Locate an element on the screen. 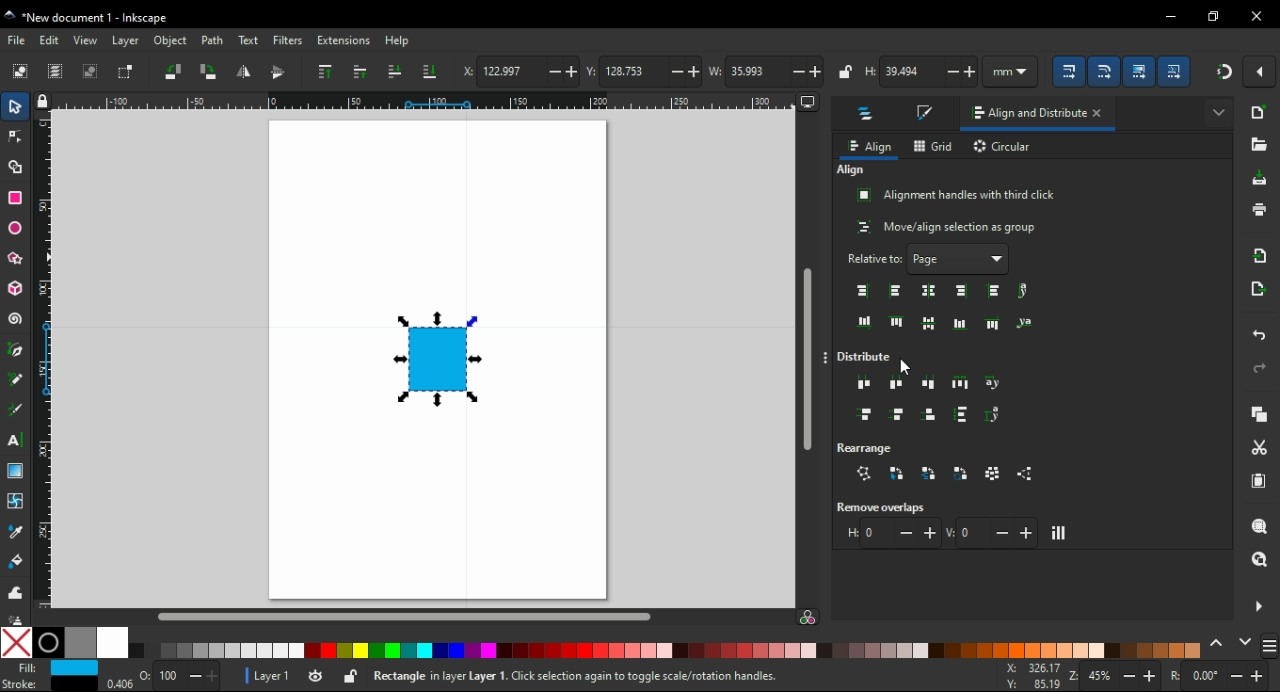  align left edge of objects to right edge of anchor is located at coordinates (996, 291).